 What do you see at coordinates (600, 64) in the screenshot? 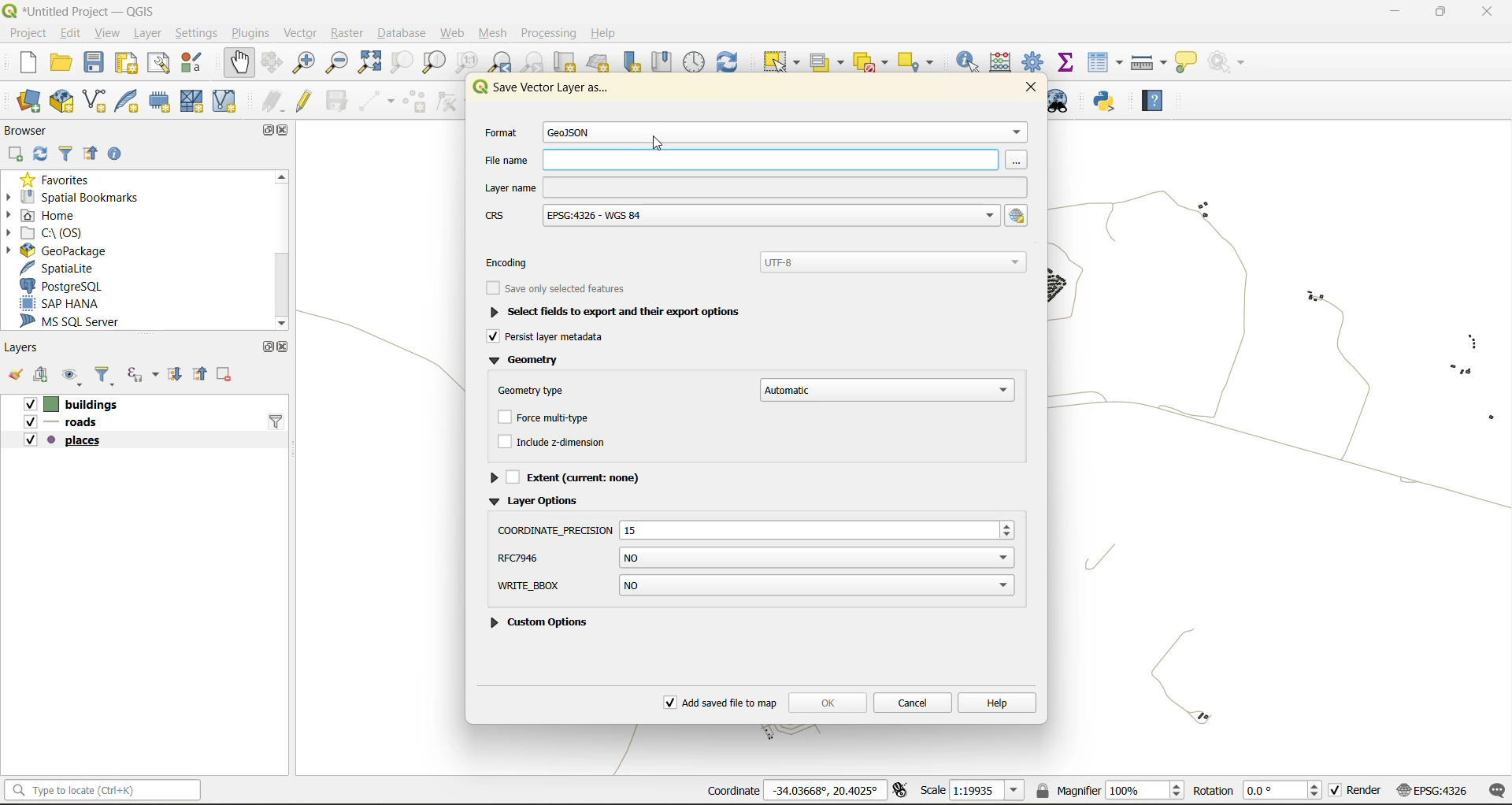
I see `new 3d map view` at bounding box center [600, 64].